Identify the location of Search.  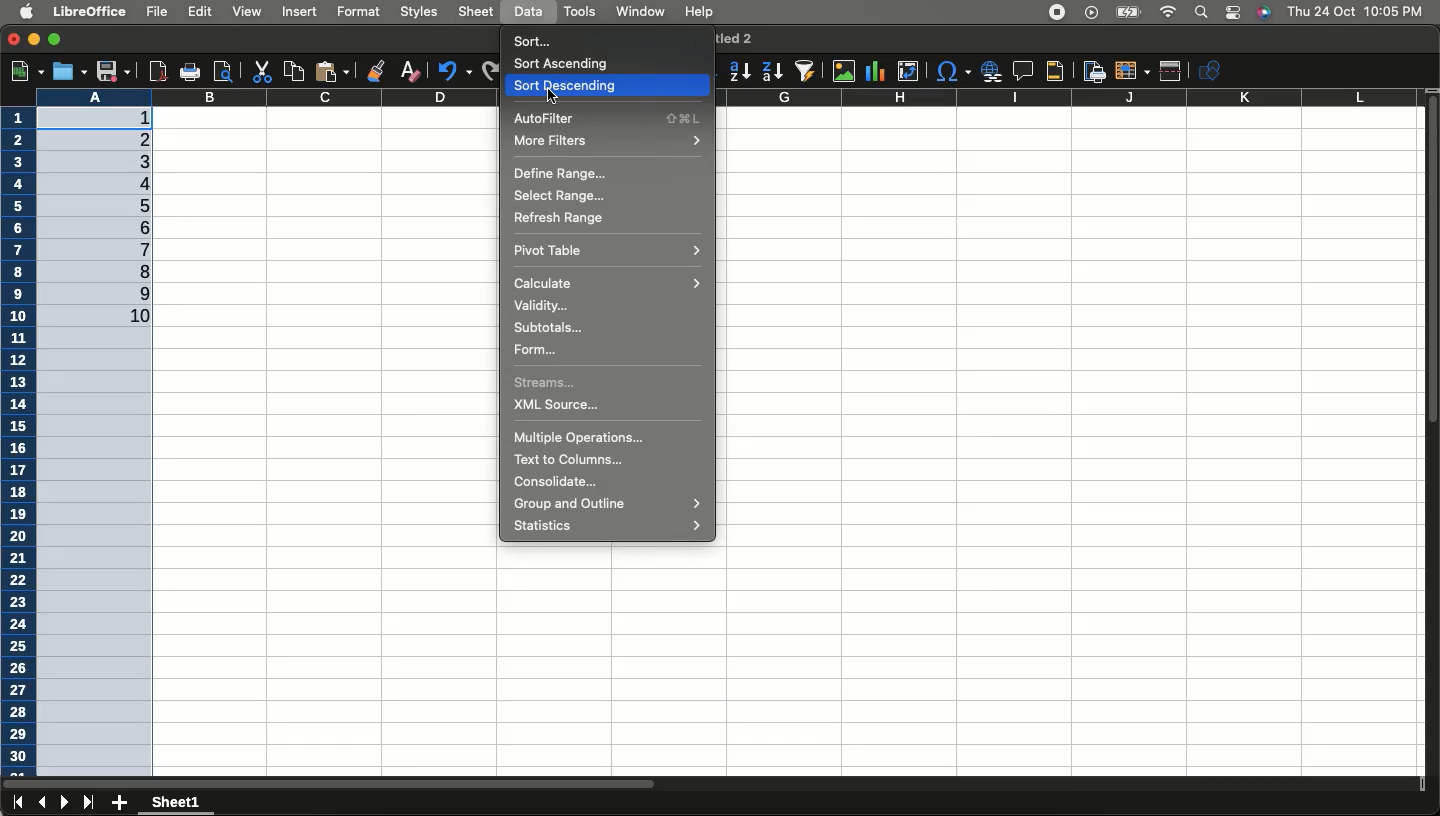
(1200, 13).